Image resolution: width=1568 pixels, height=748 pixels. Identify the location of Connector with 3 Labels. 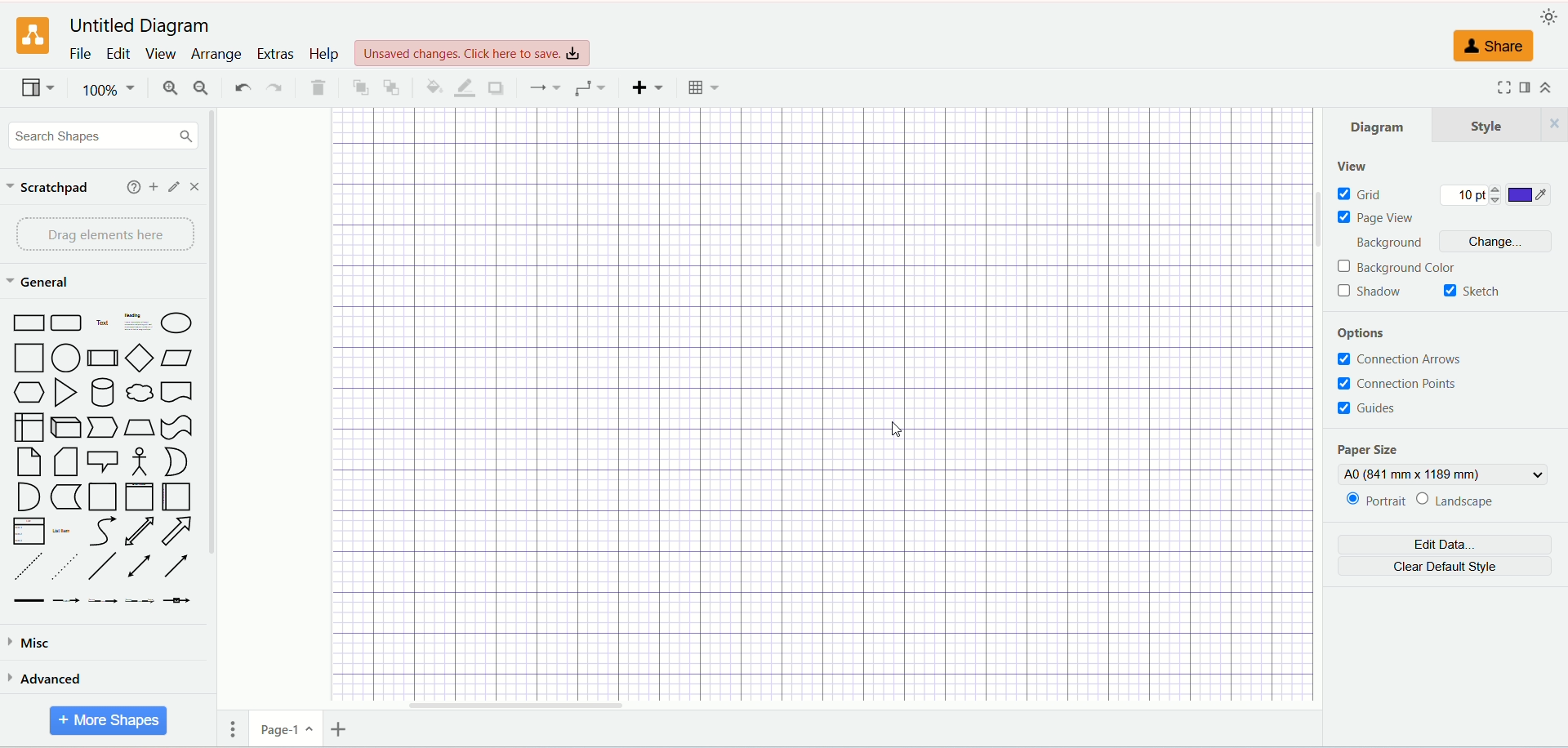
(141, 601).